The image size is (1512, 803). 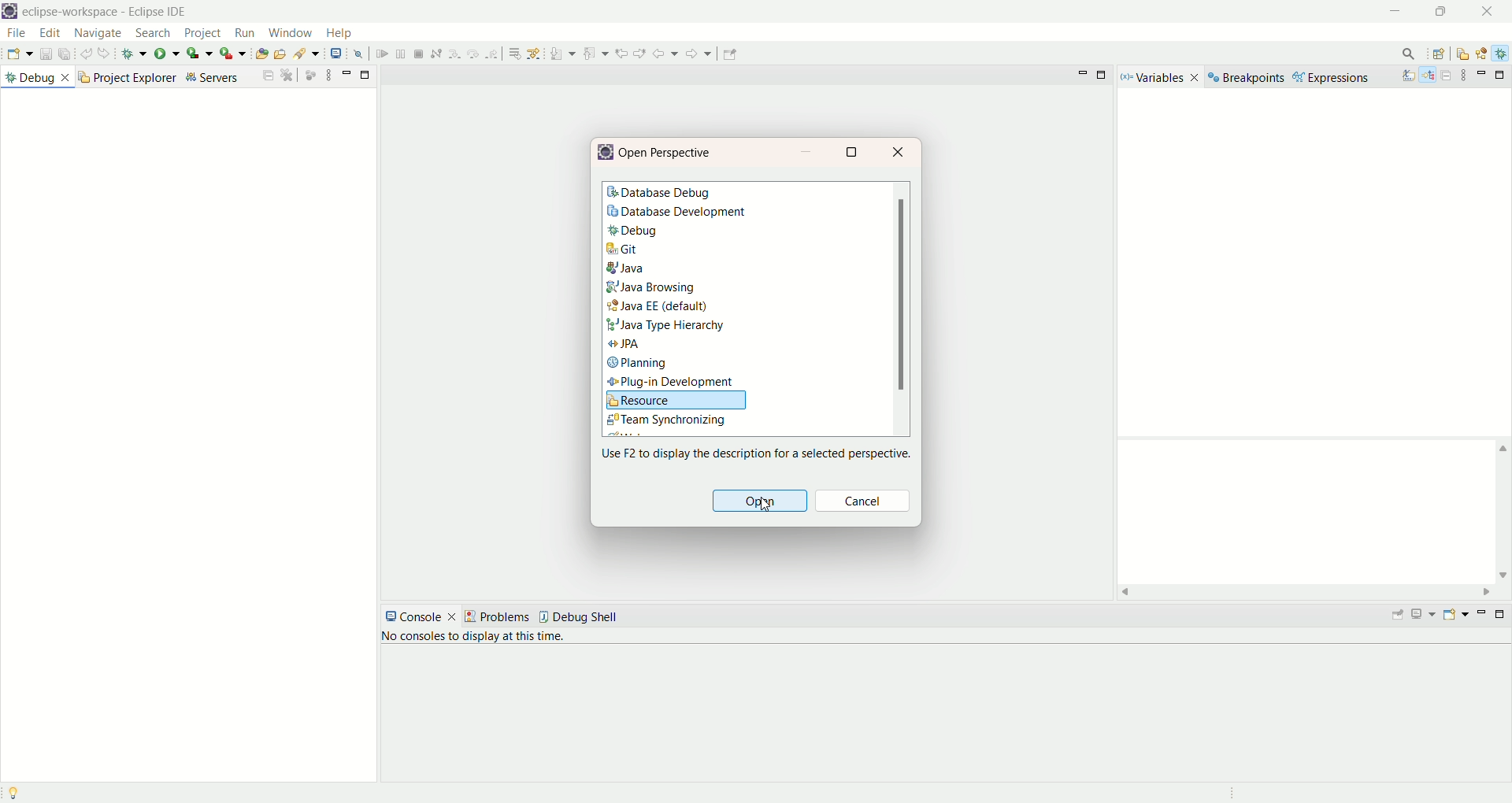 I want to click on resume, so click(x=495, y=54).